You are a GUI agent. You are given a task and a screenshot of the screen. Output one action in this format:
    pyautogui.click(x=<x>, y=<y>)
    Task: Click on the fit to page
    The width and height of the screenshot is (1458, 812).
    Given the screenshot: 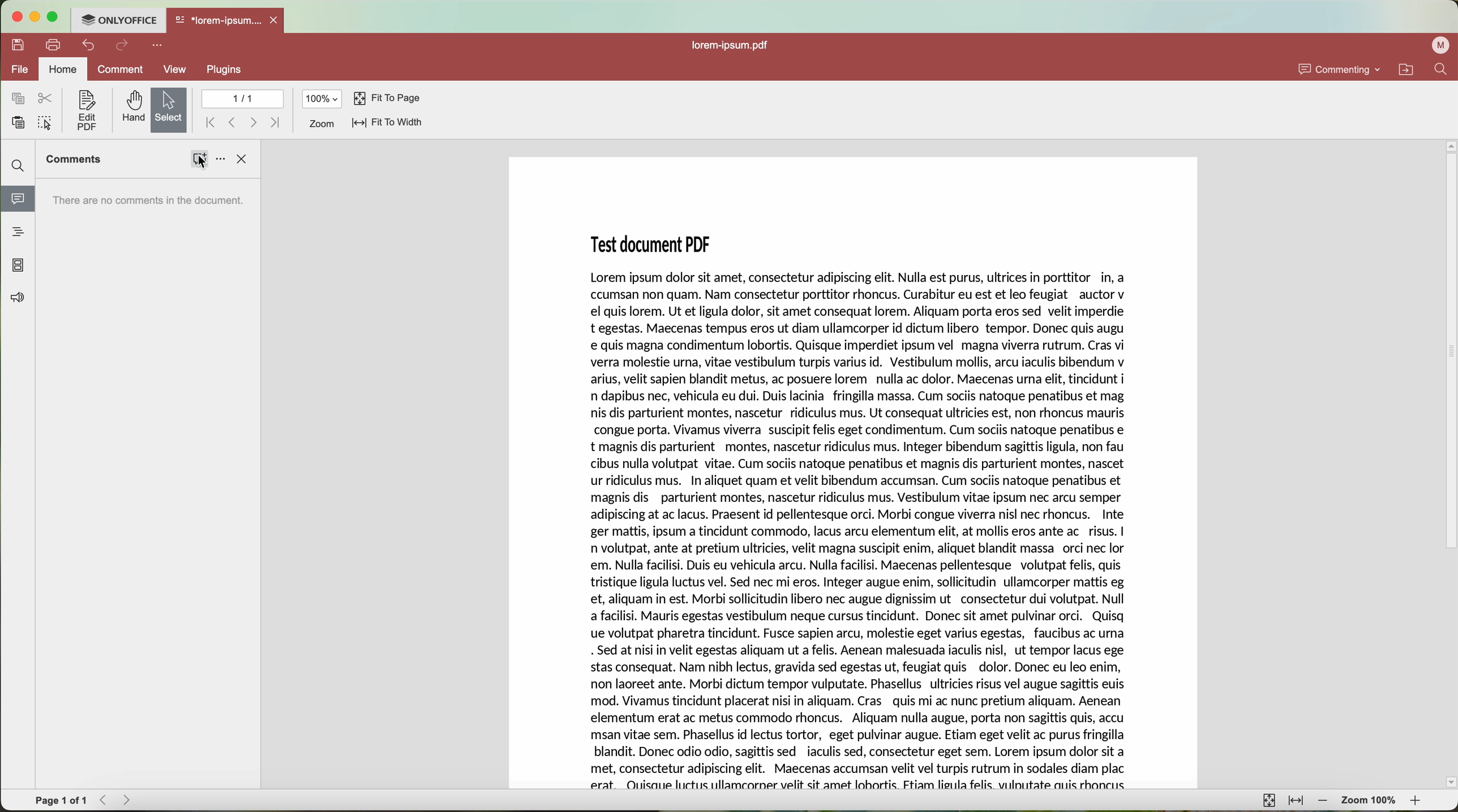 What is the action you would take?
    pyautogui.click(x=387, y=100)
    